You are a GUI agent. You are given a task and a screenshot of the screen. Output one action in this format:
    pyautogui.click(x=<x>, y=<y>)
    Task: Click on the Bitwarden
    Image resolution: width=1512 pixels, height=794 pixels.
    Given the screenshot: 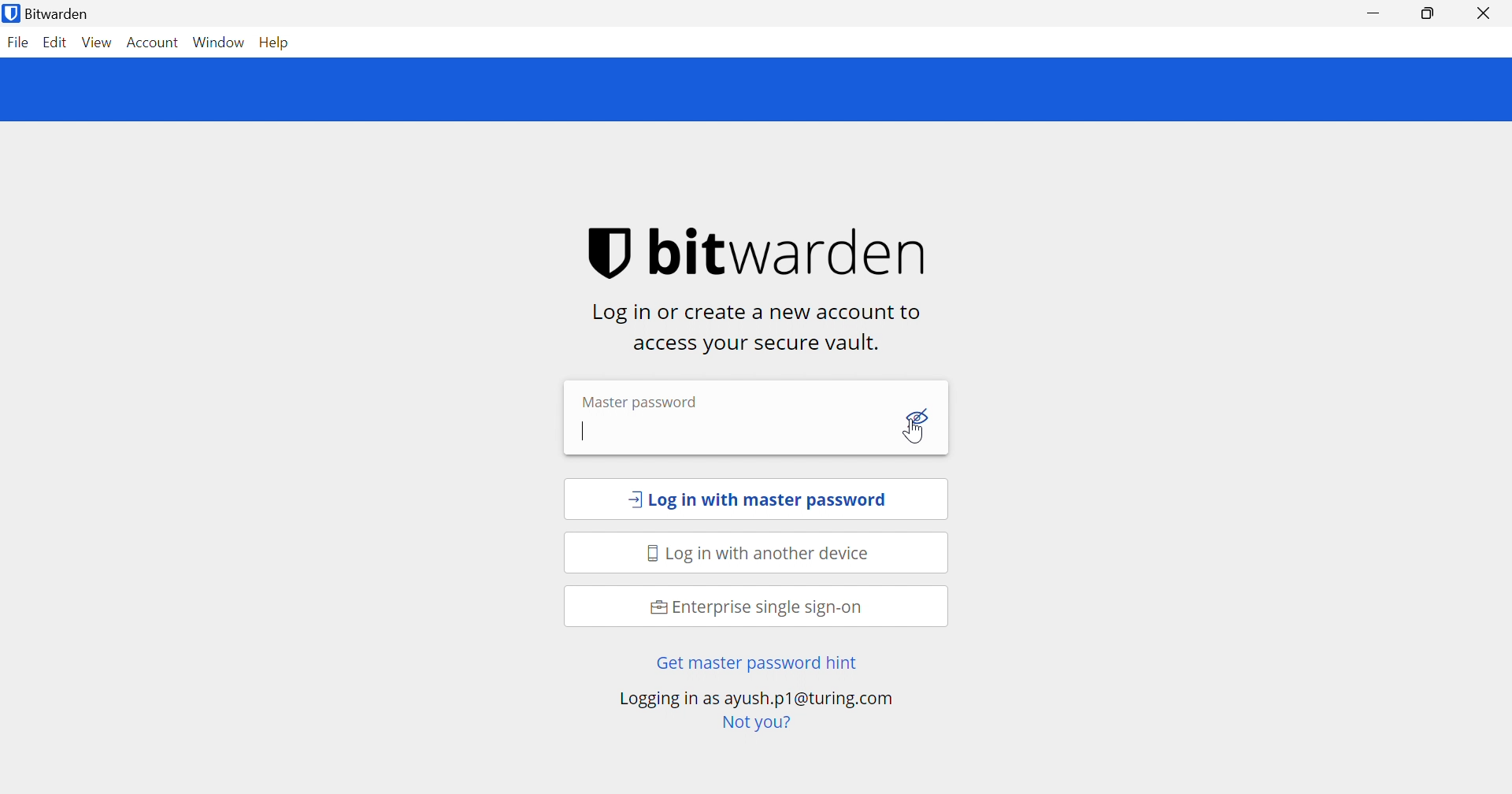 What is the action you would take?
    pyautogui.click(x=50, y=14)
    